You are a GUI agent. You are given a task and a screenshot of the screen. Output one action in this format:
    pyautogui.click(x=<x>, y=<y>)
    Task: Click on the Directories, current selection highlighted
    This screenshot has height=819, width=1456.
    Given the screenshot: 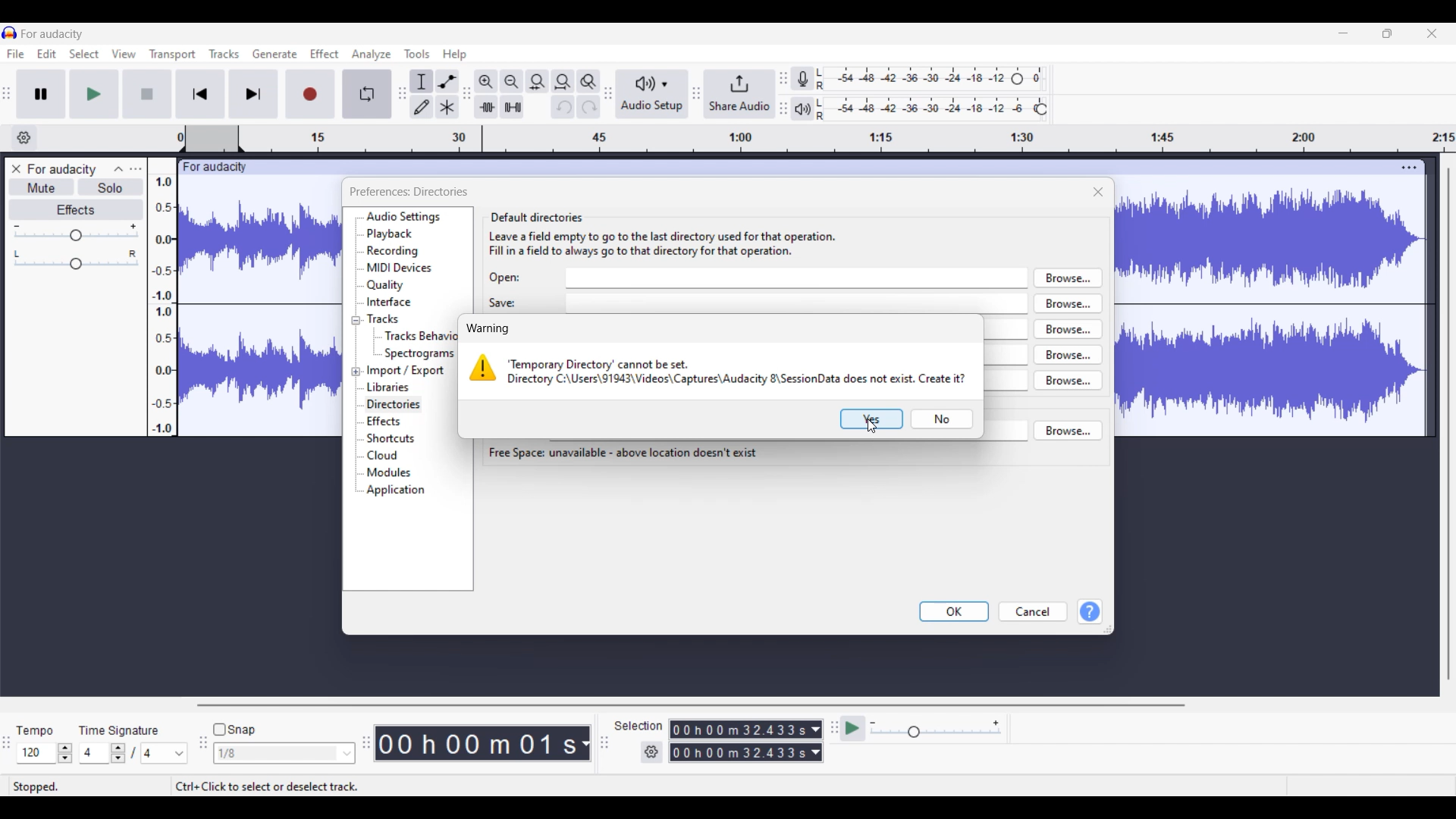 What is the action you would take?
    pyautogui.click(x=394, y=405)
    